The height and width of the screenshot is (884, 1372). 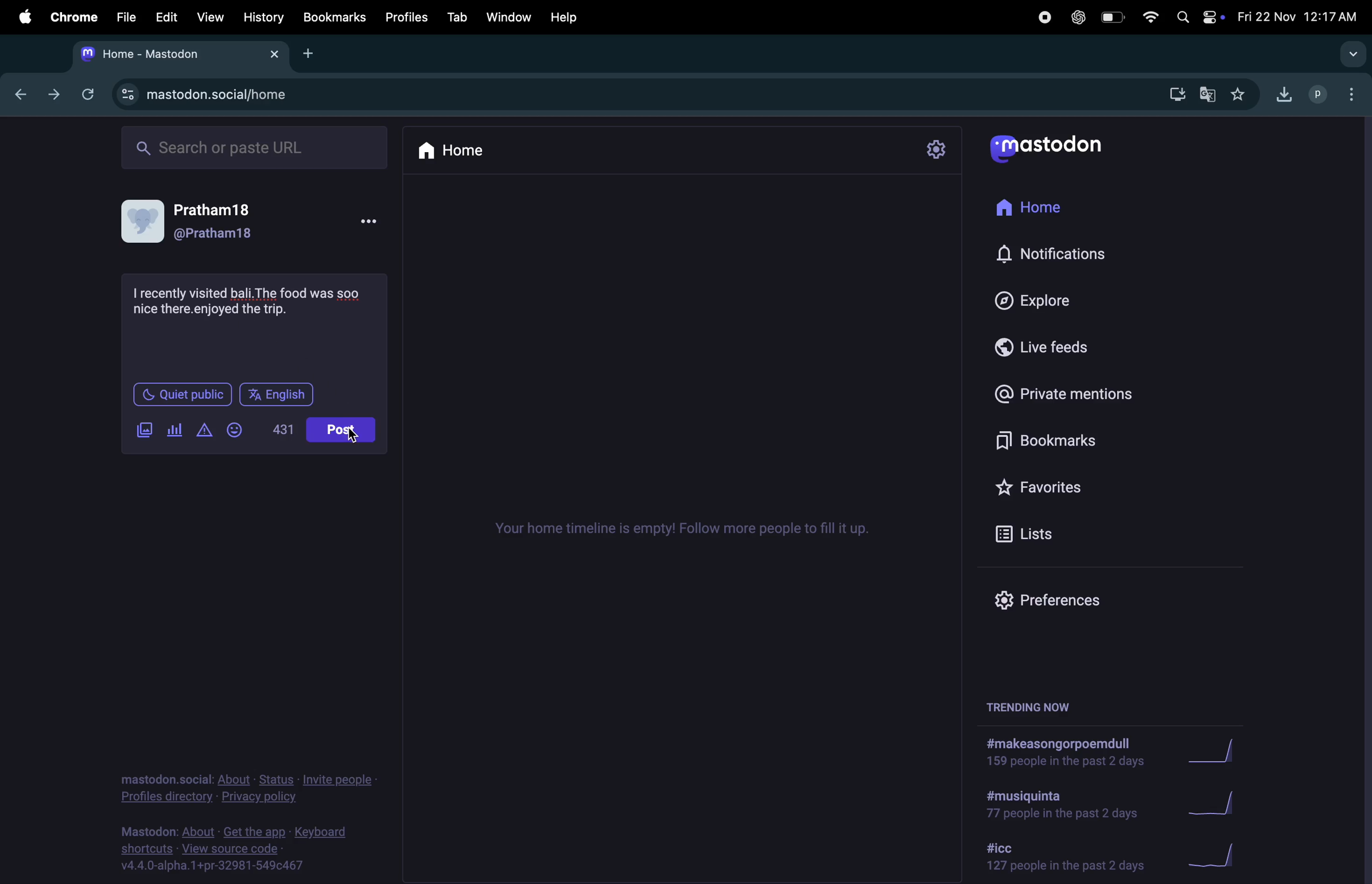 I want to click on time lines, so click(x=693, y=525).